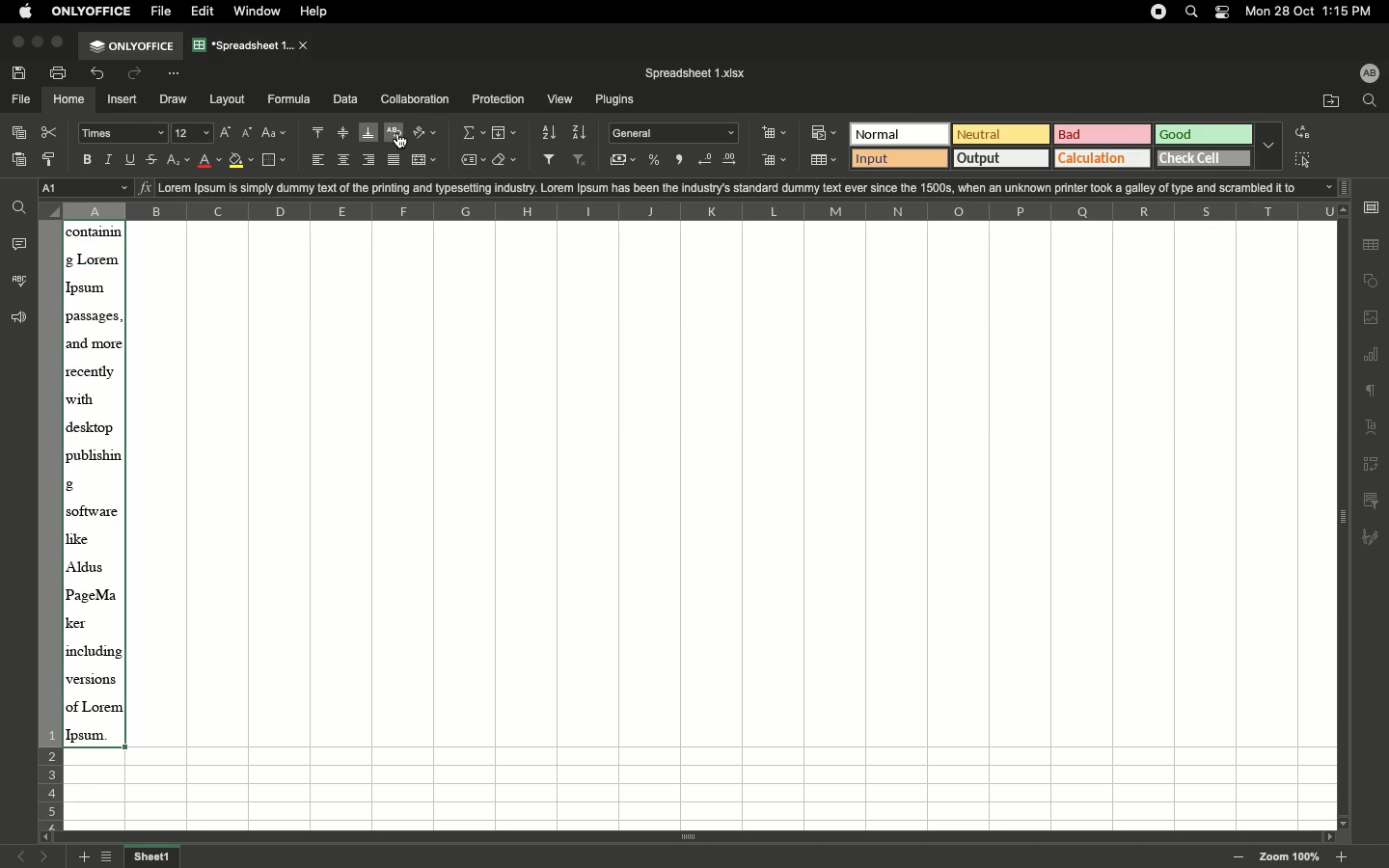 The height and width of the screenshot is (868, 1389). What do you see at coordinates (499, 100) in the screenshot?
I see `Protection` at bounding box center [499, 100].